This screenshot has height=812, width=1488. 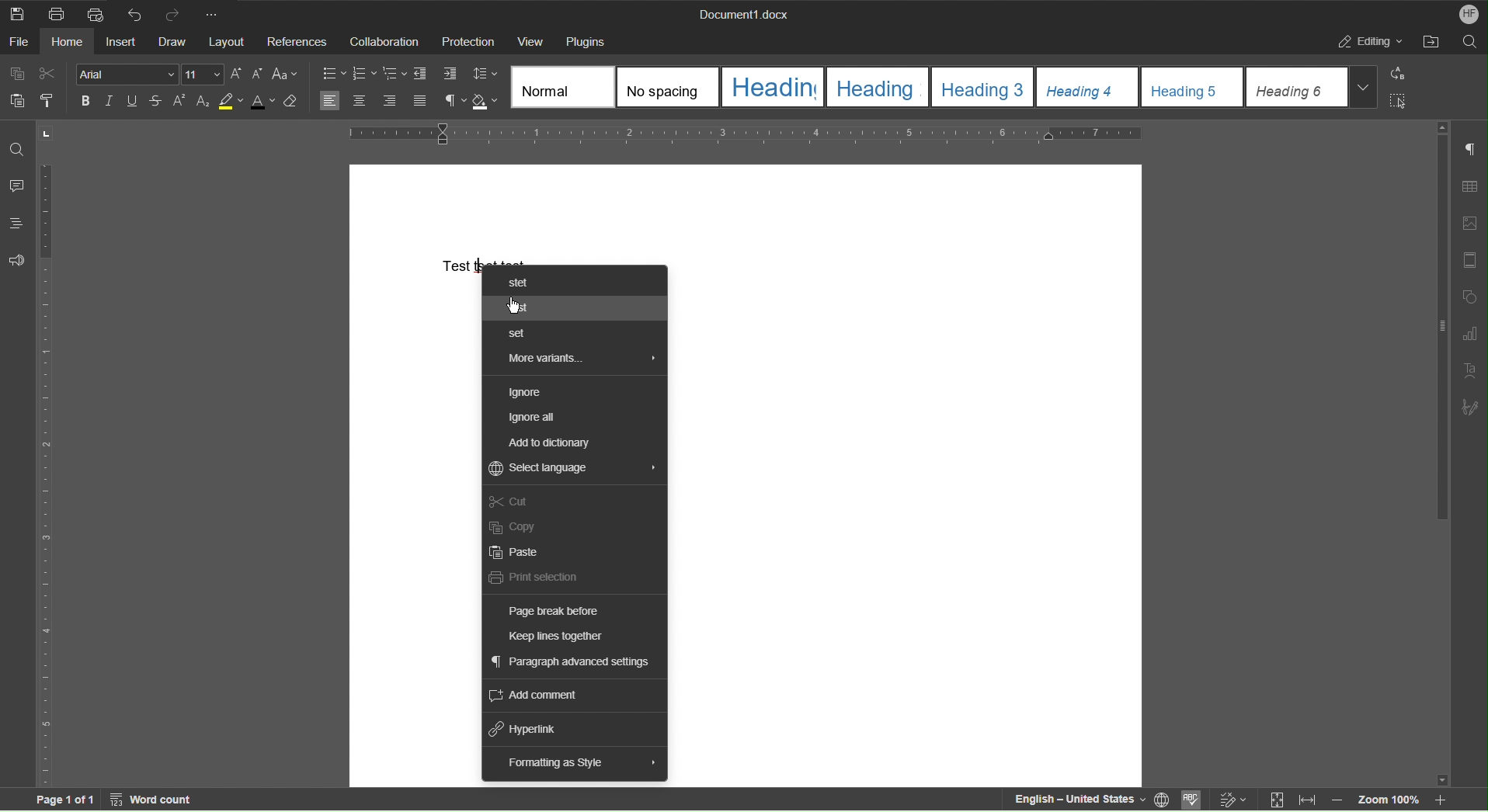 What do you see at coordinates (518, 279) in the screenshot?
I see `Stet` at bounding box center [518, 279].